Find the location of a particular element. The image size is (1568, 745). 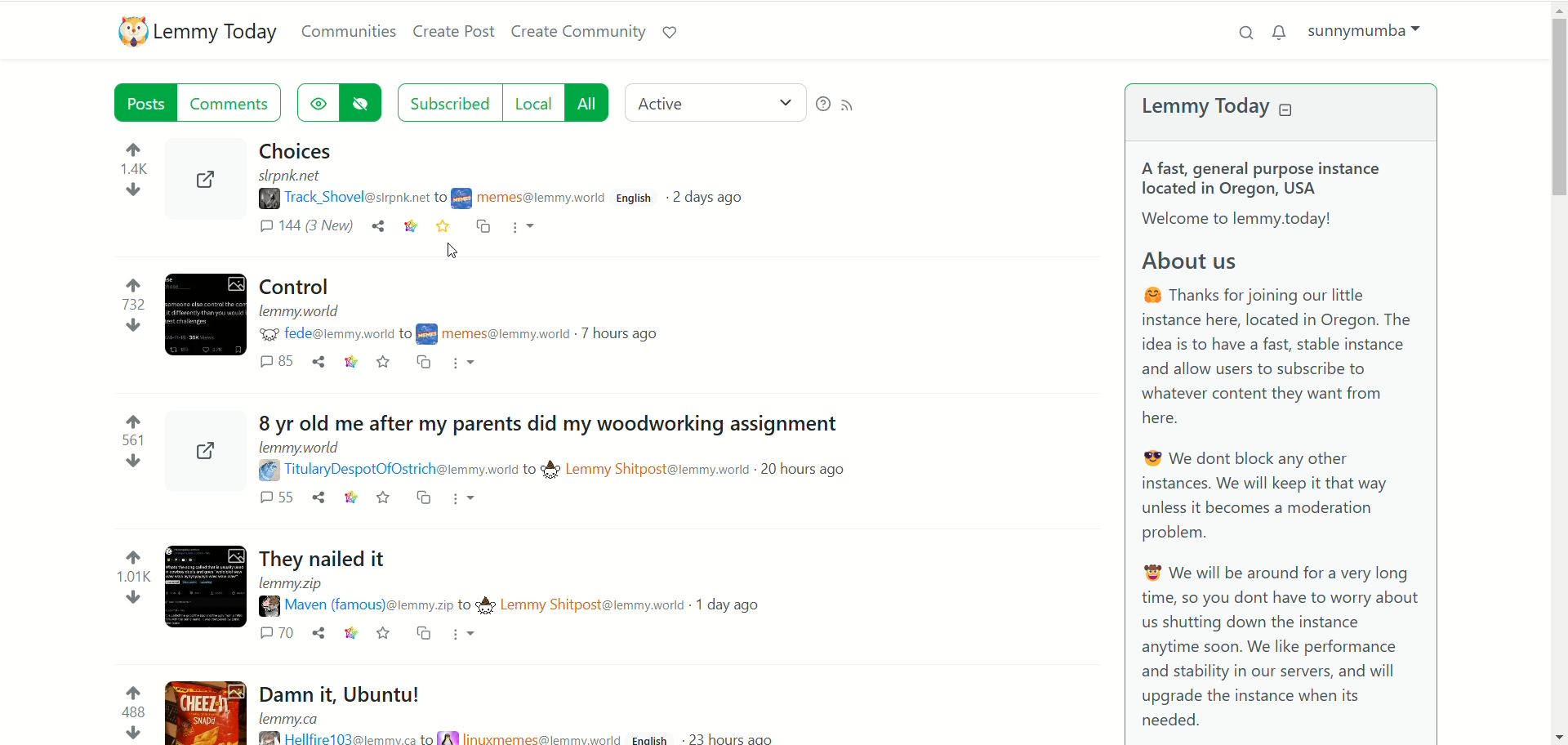

comments is located at coordinates (234, 105).